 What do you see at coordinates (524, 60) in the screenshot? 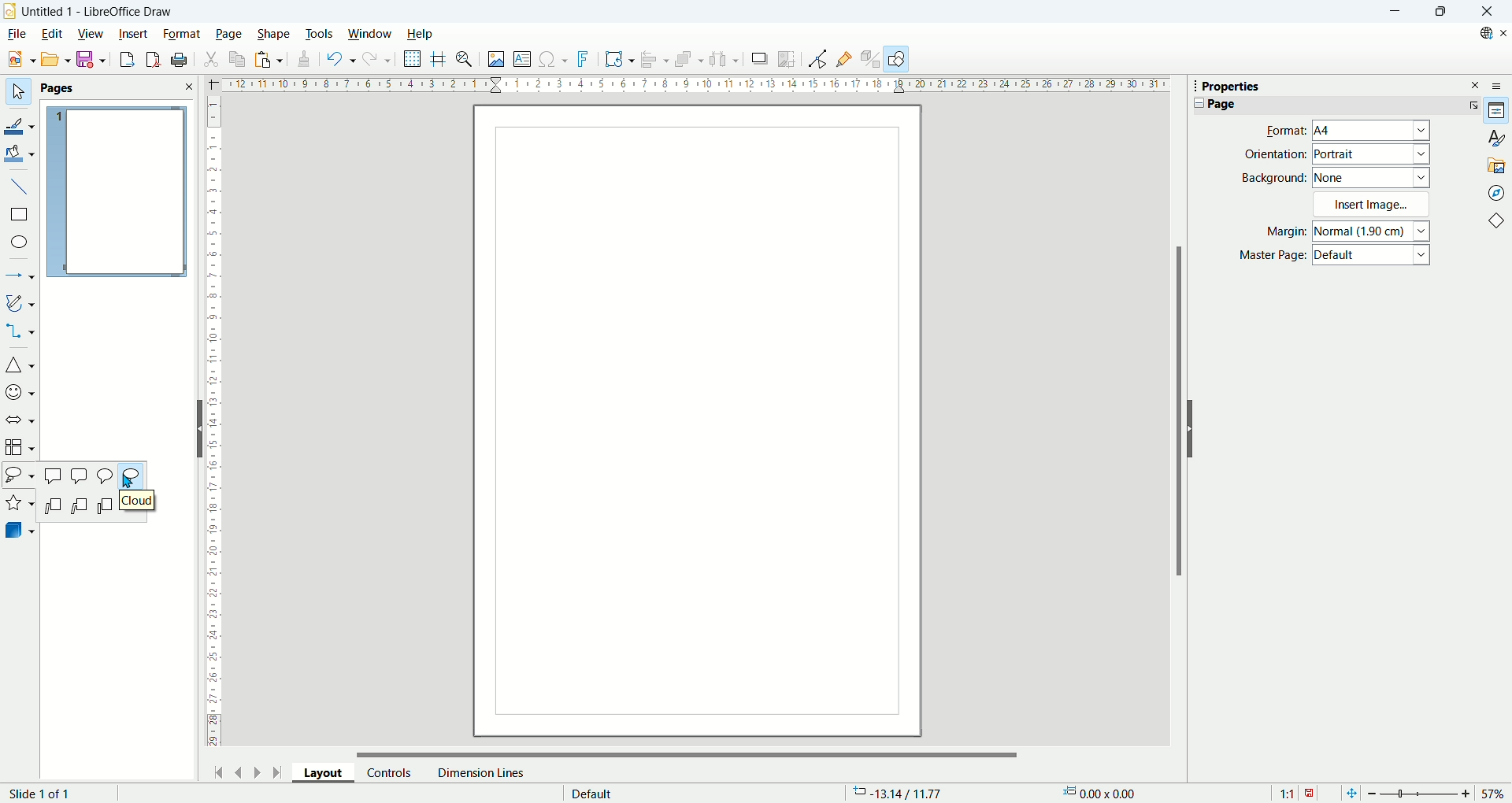
I see `insert textbox` at bounding box center [524, 60].